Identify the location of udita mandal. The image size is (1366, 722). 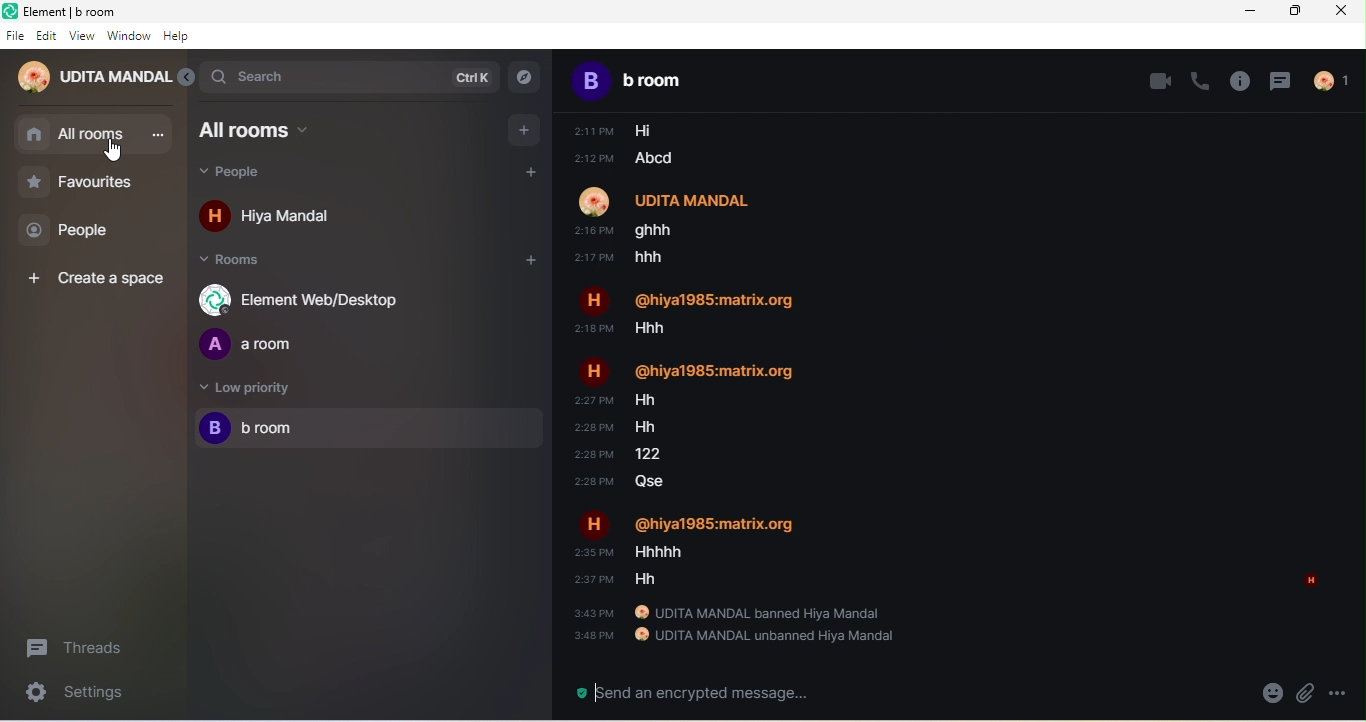
(89, 80).